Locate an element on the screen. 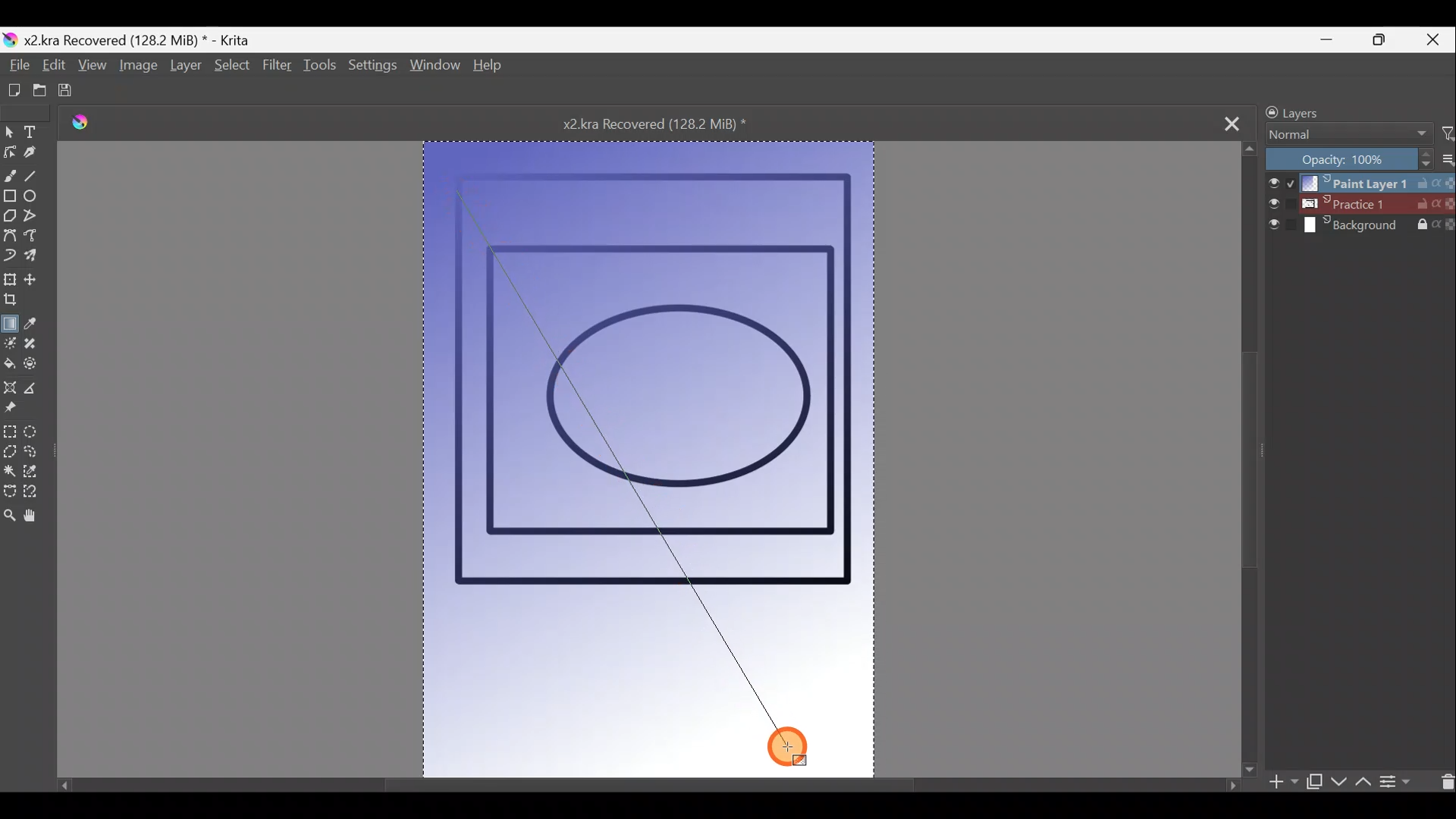 The height and width of the screenshot is (819, 1456). Bezier curve selection tool is located at coordinates (9, 493).